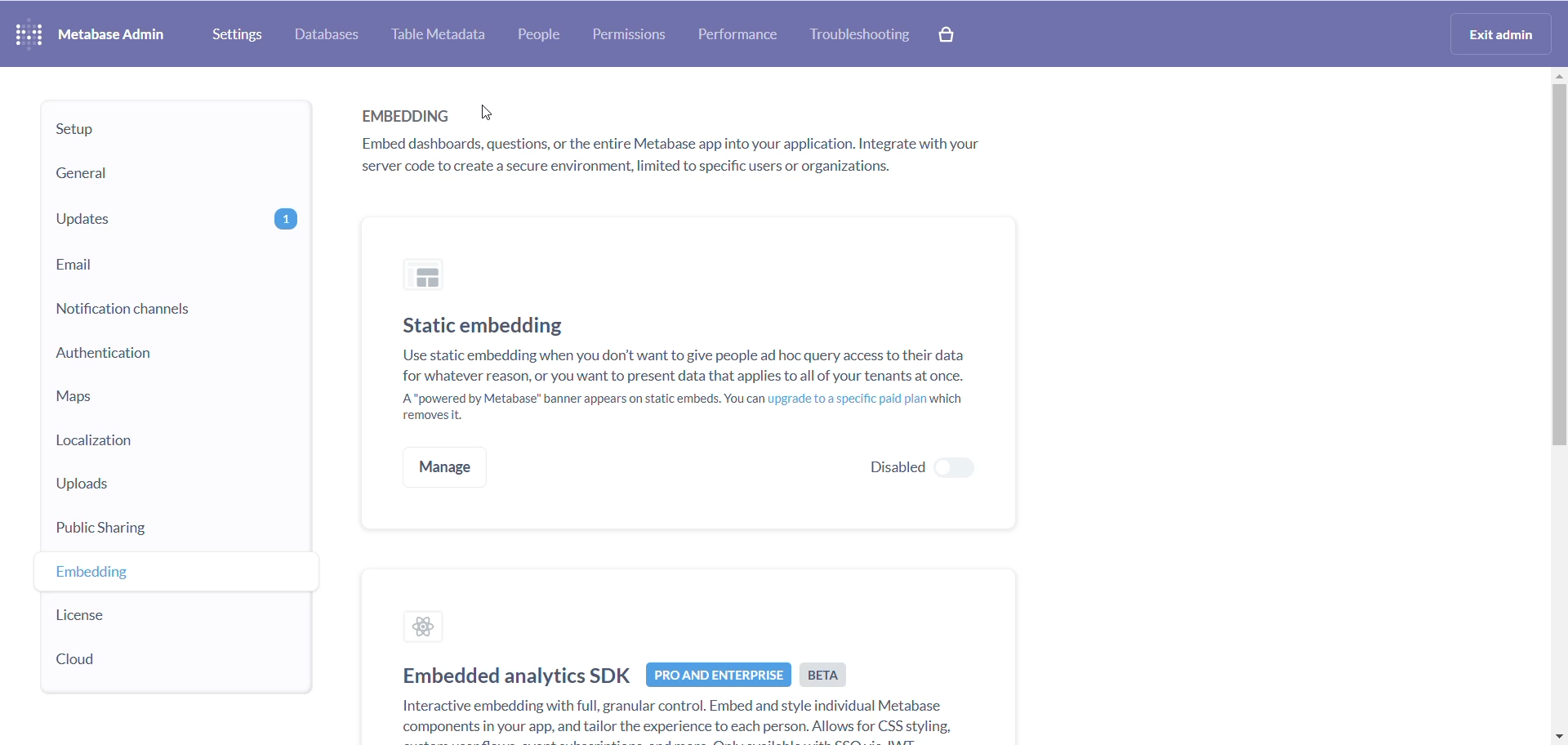  What do you see at coordinates (657, 719) in the screenshot?
I see `Interactive embedding with full, granular control. Embed and style individual Metabase
components in your app, and tailor the experience to each person. Allows for CSS styling,` at bounding box center [657, 719].